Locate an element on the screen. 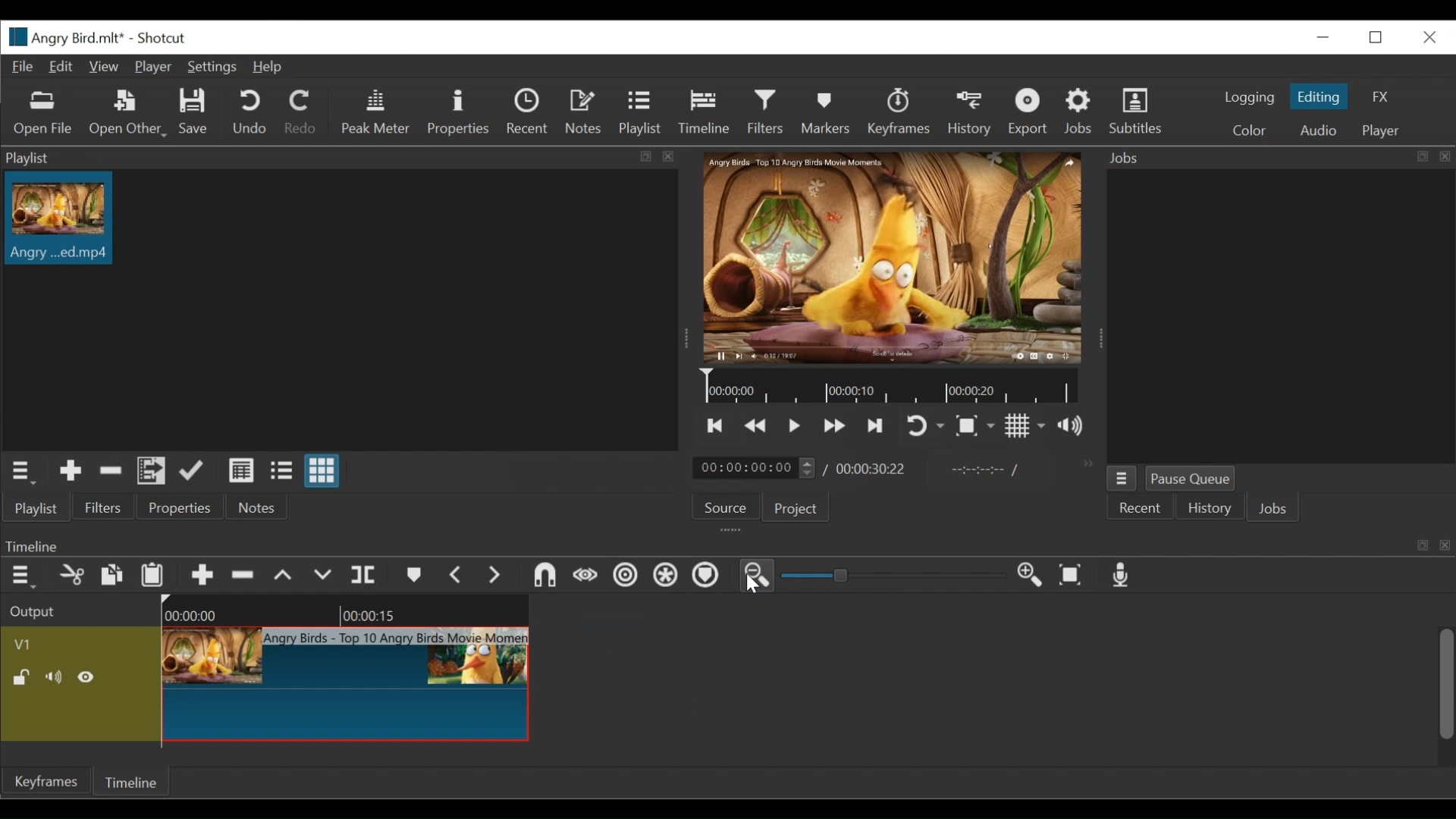 This screenshot has width=1456, height=819. Clip thumbnail is located at coordinates (61, 218).